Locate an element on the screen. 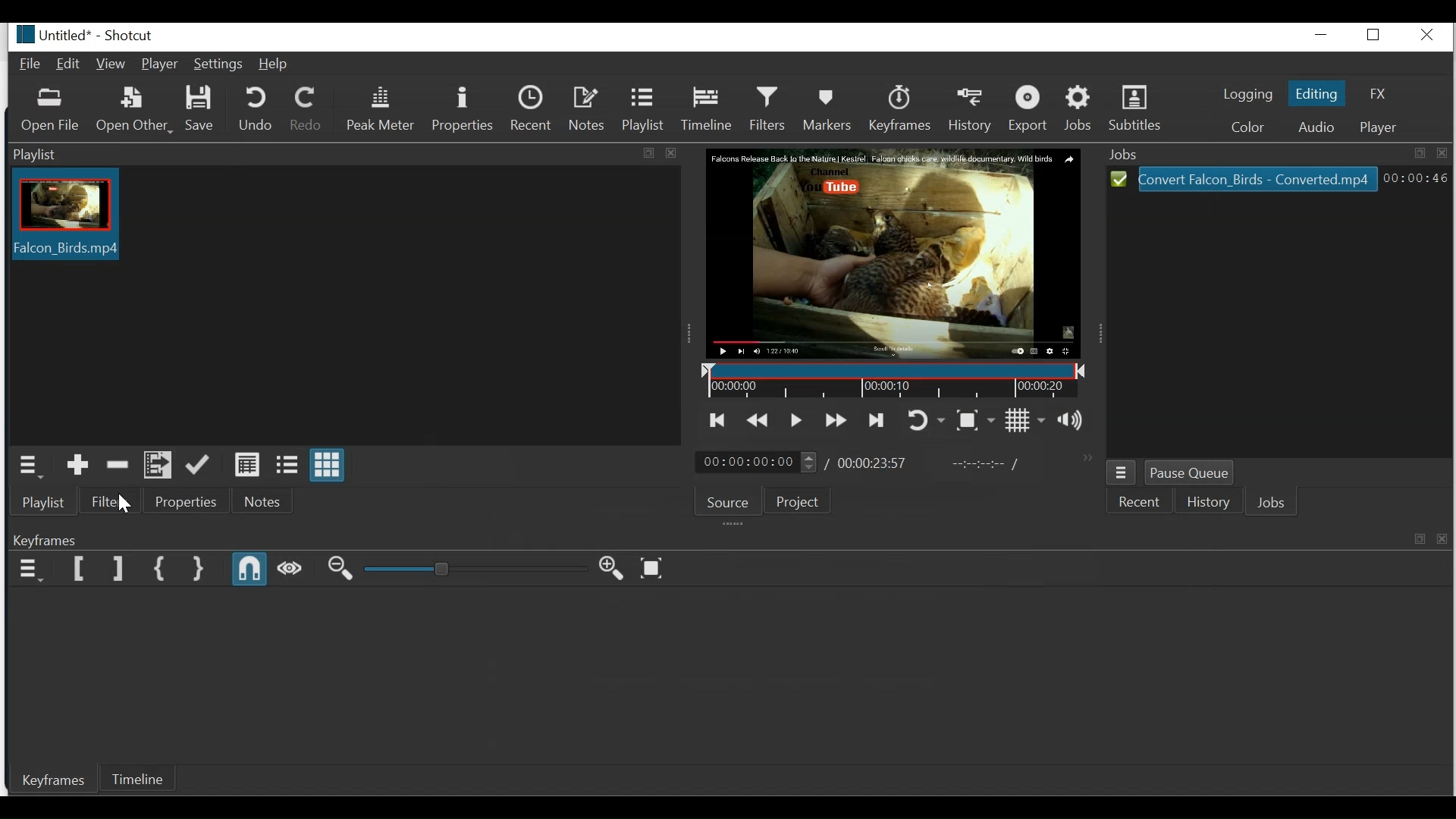  Filter is located at coordinates (108, 500).